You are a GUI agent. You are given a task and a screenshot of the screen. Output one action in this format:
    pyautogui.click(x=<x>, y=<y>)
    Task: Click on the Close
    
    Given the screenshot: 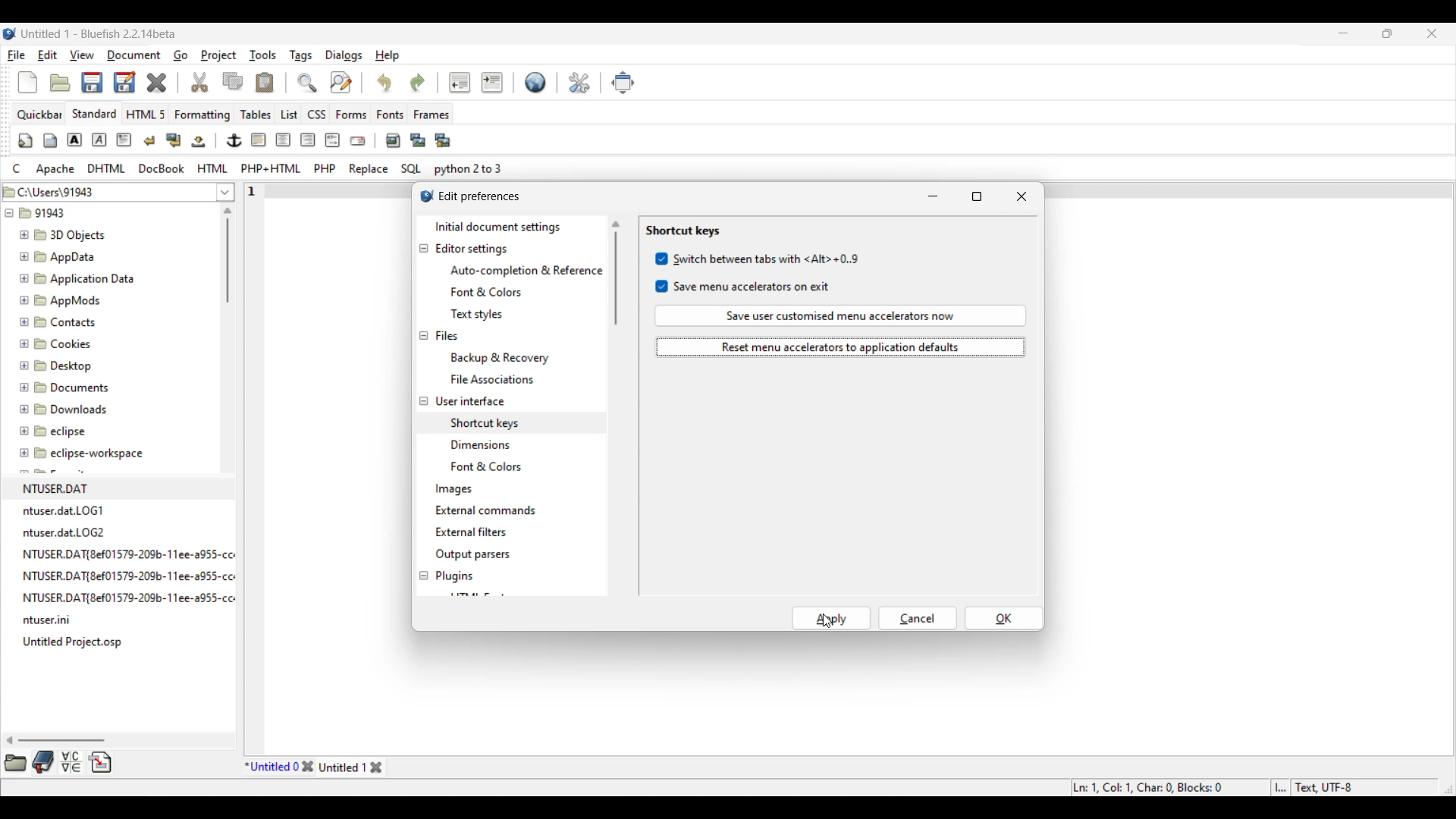 What is the action you would take?
    pyautogui.click(x=156, y=83)
    